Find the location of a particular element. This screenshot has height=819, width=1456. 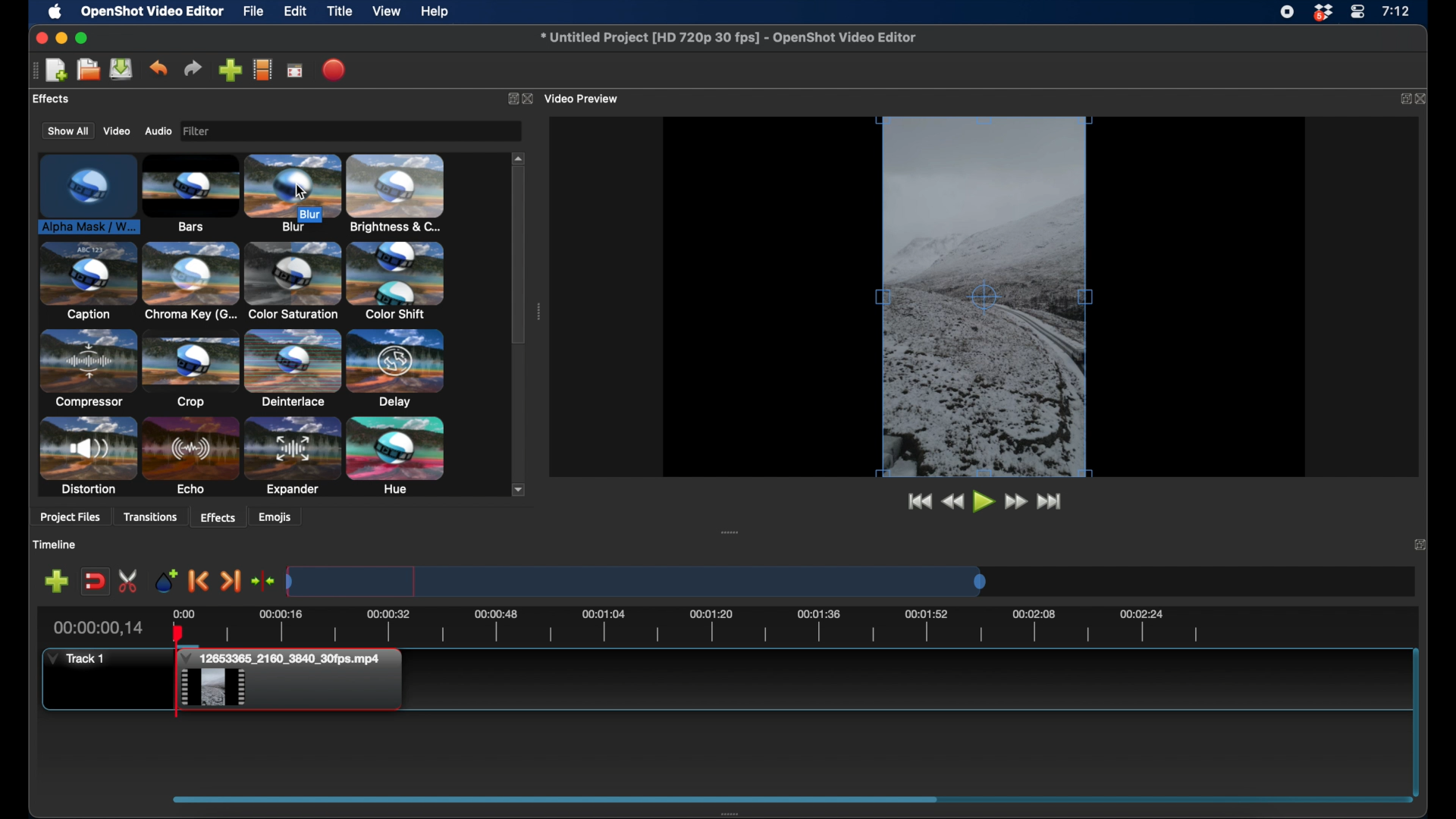

filter is located at coordinates (243, 131).